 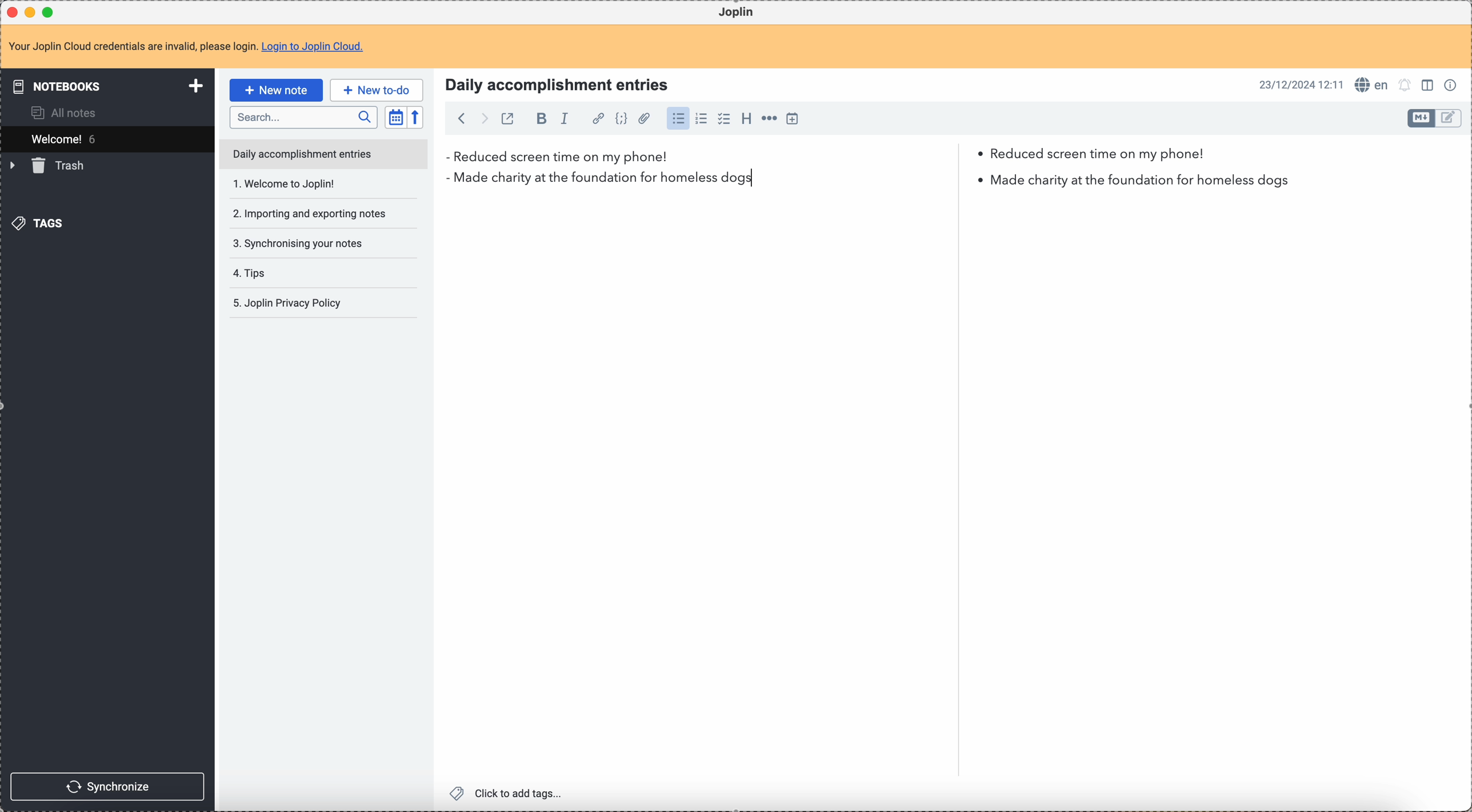 What do you see at coordinates (644, 119) in the screenshot?
I see `attach file` at bounding box center [644, 119].